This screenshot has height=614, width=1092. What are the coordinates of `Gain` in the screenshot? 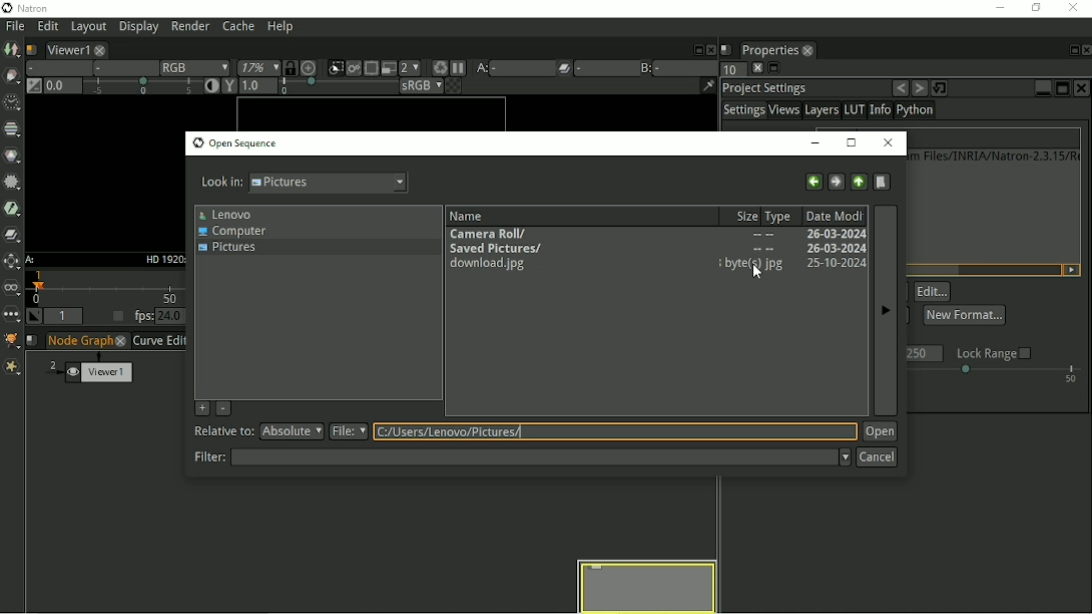 It's located at (118, 88).